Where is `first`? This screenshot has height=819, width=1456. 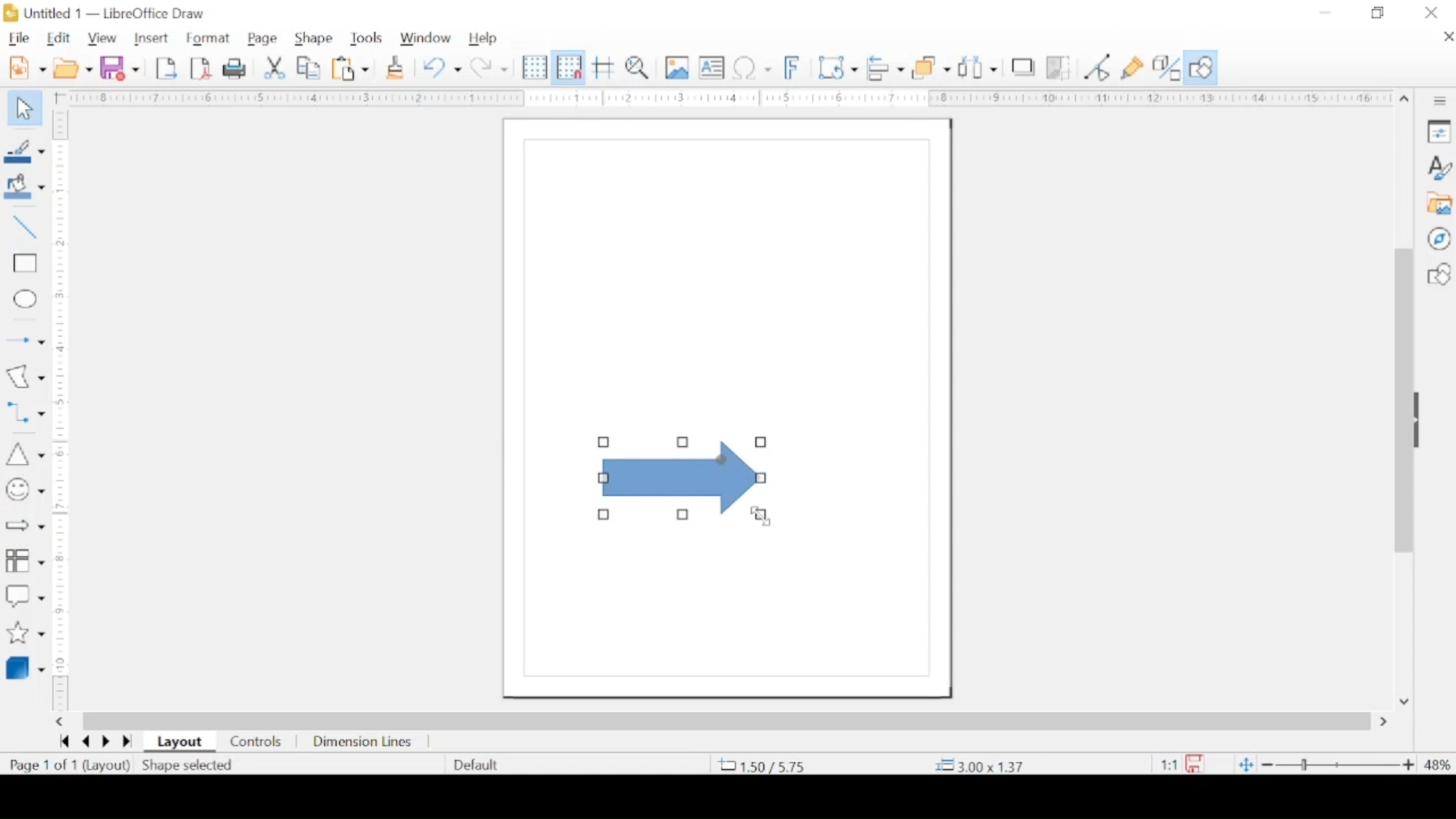 first is located at coordinates (64, 742).